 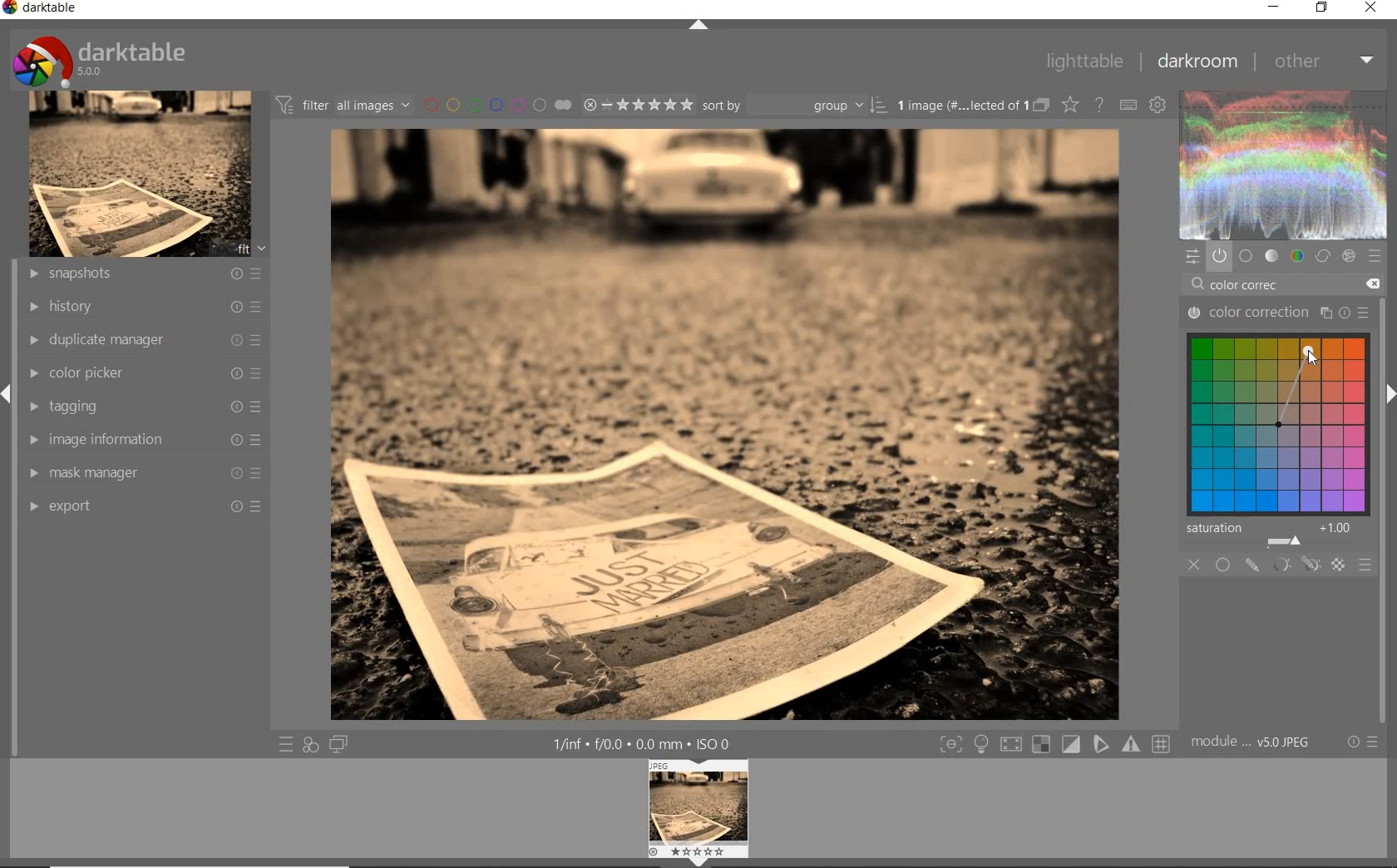 I want to click on darkroom, so click(x=1196, y=59).